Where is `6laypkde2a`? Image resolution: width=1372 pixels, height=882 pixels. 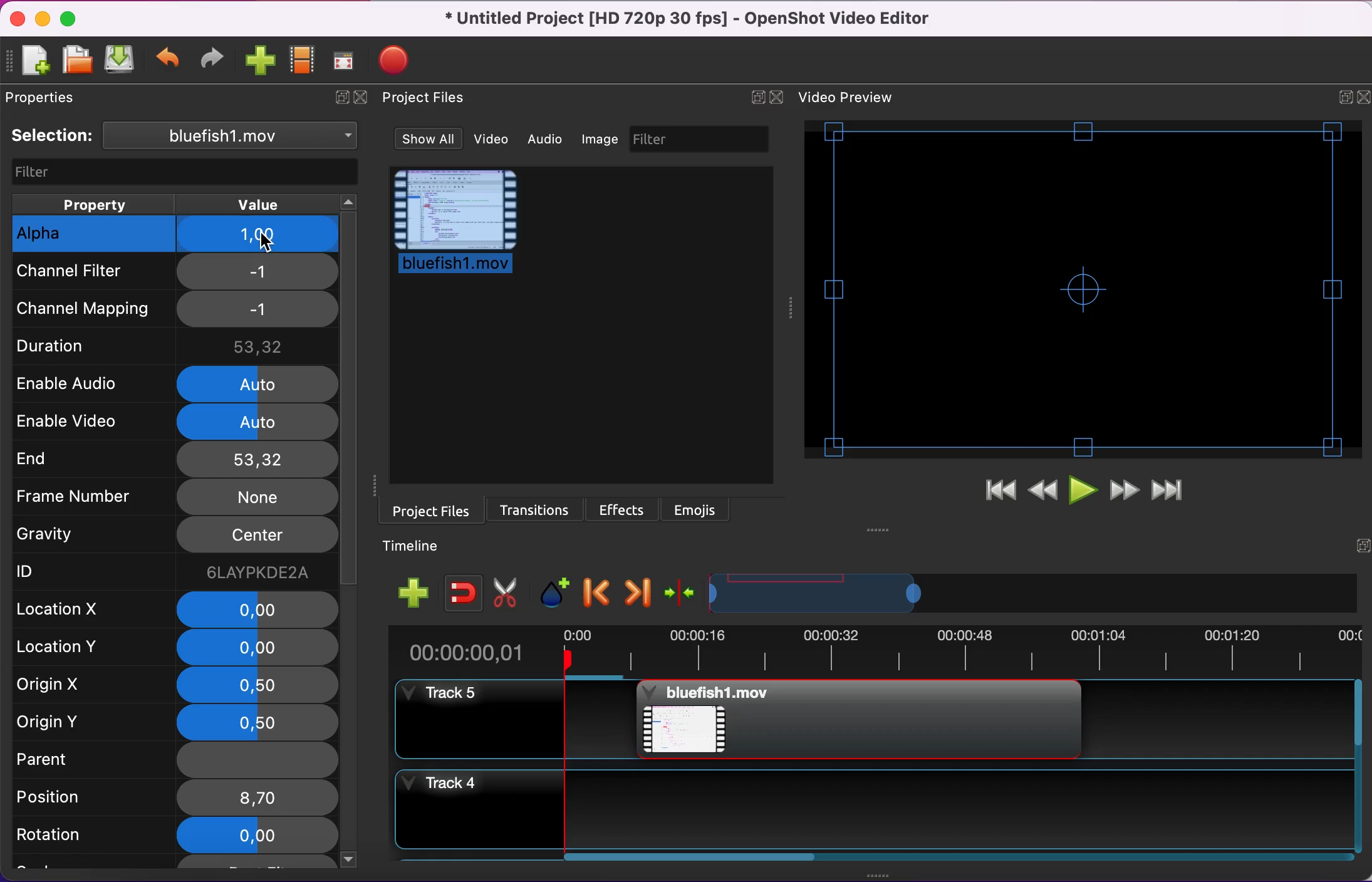
6laypkde2a is located at coordinates (257, 573).